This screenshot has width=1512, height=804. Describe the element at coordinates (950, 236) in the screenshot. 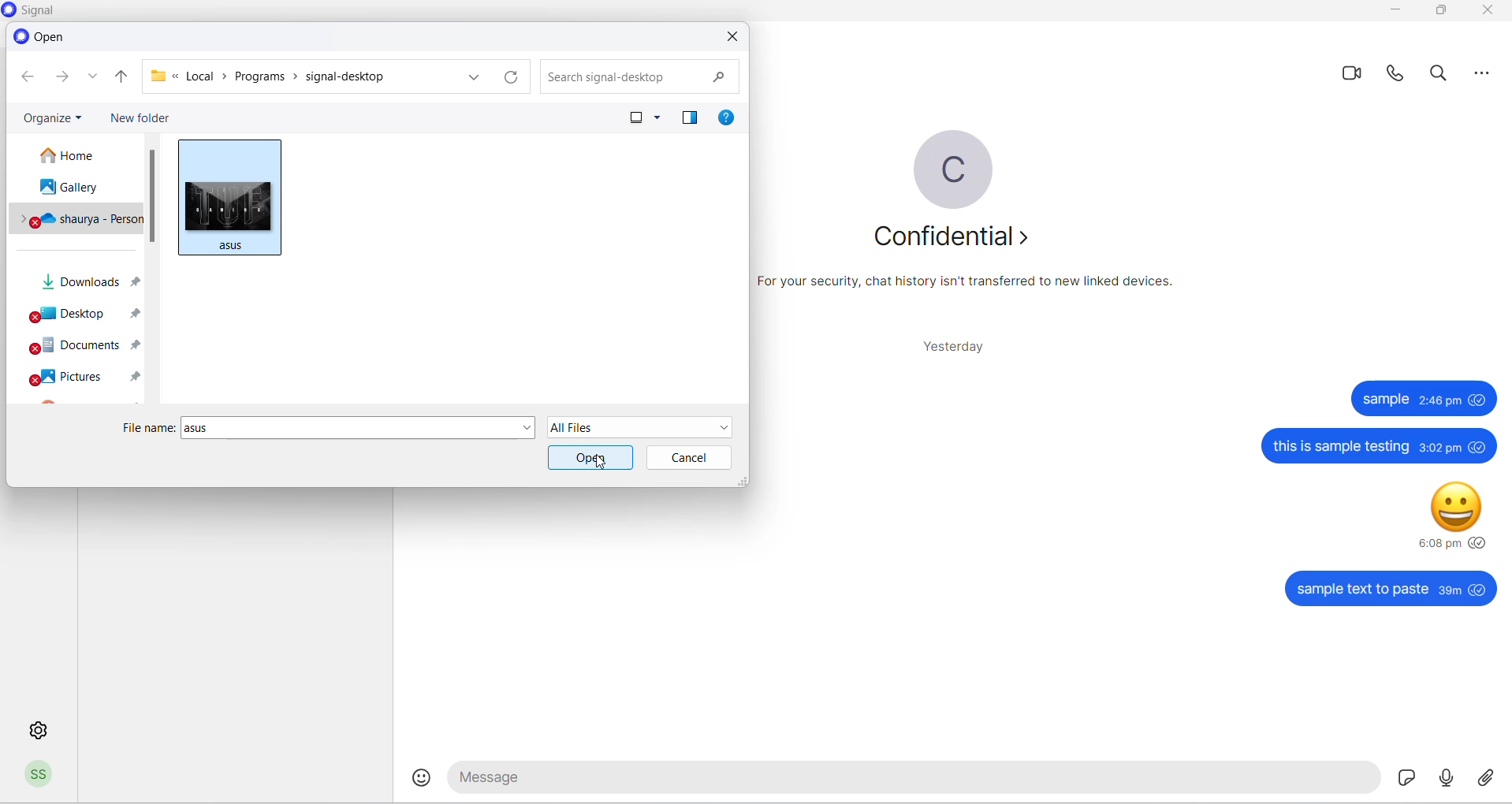

I see `about contact` at that location.